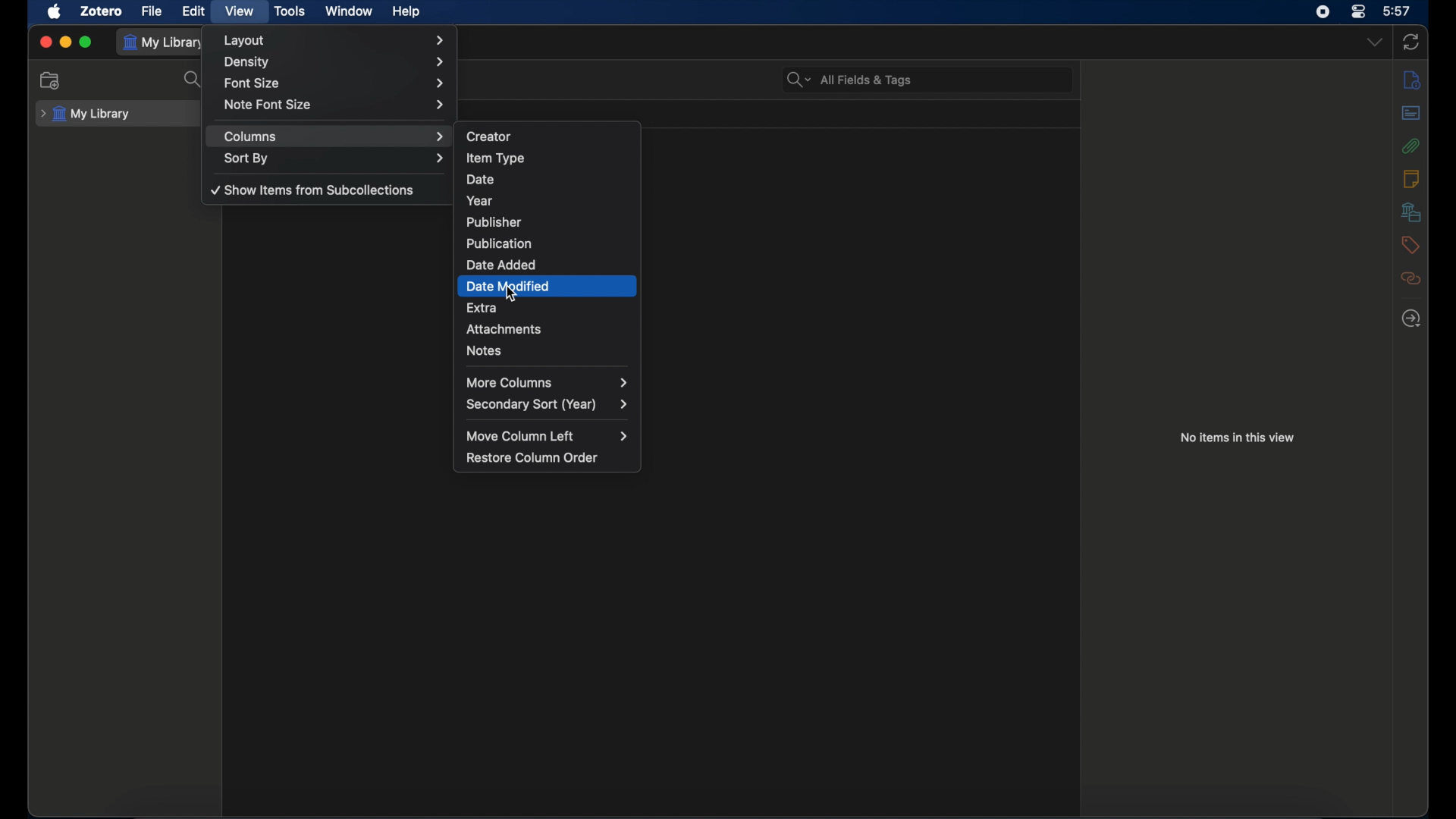 This screenshot has width=1456, height=819. I want to click on cursor, so click(516, 295).